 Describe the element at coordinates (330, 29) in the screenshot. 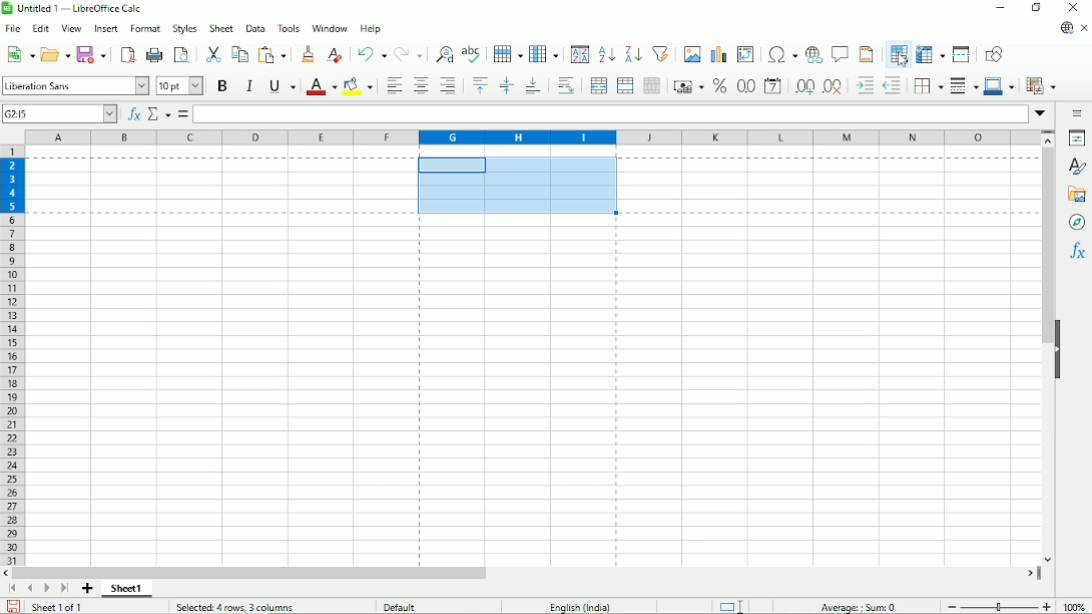

I see `Window` at that location.